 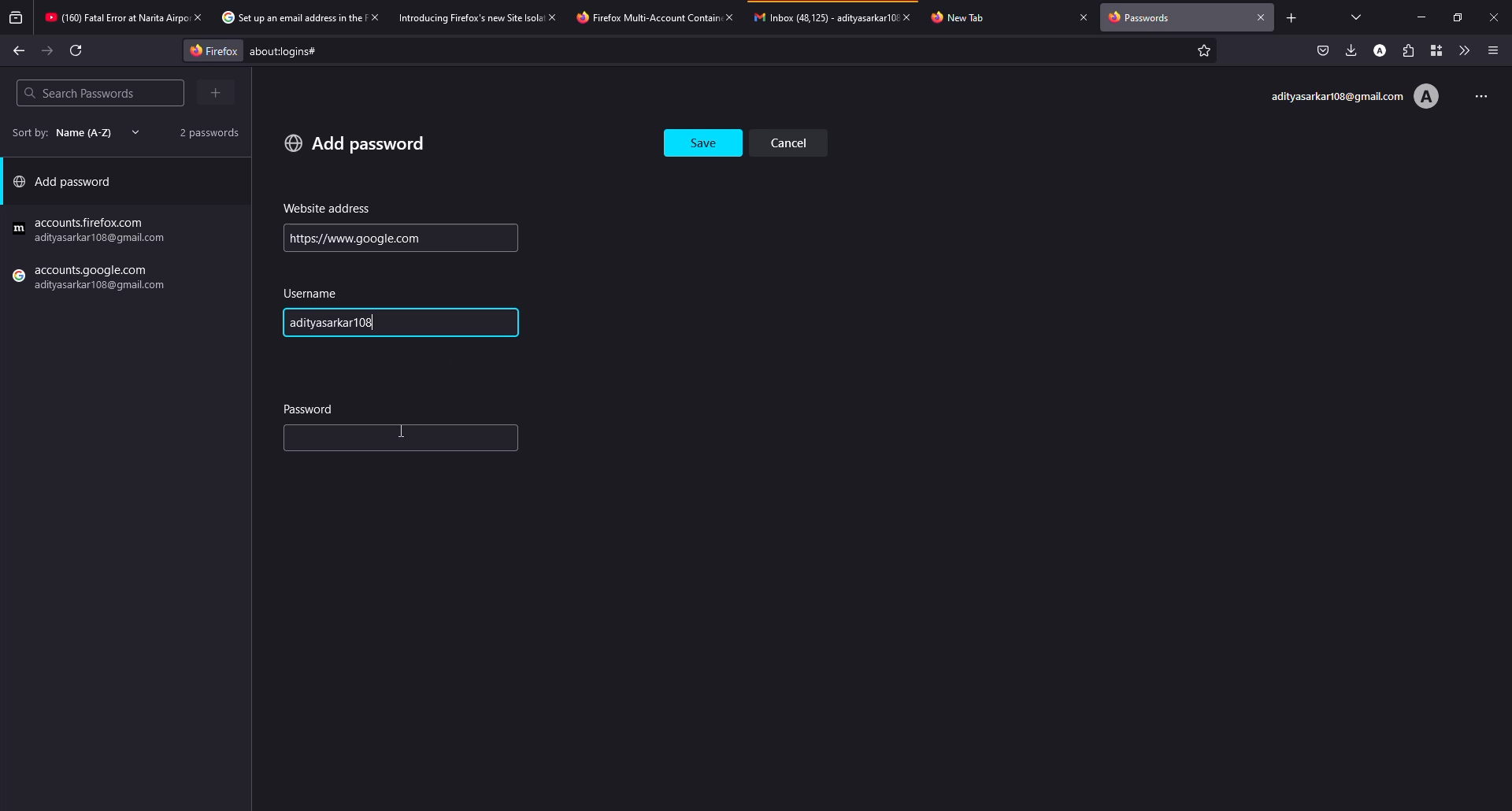 I want to click on save, so click(x=705, y=139).